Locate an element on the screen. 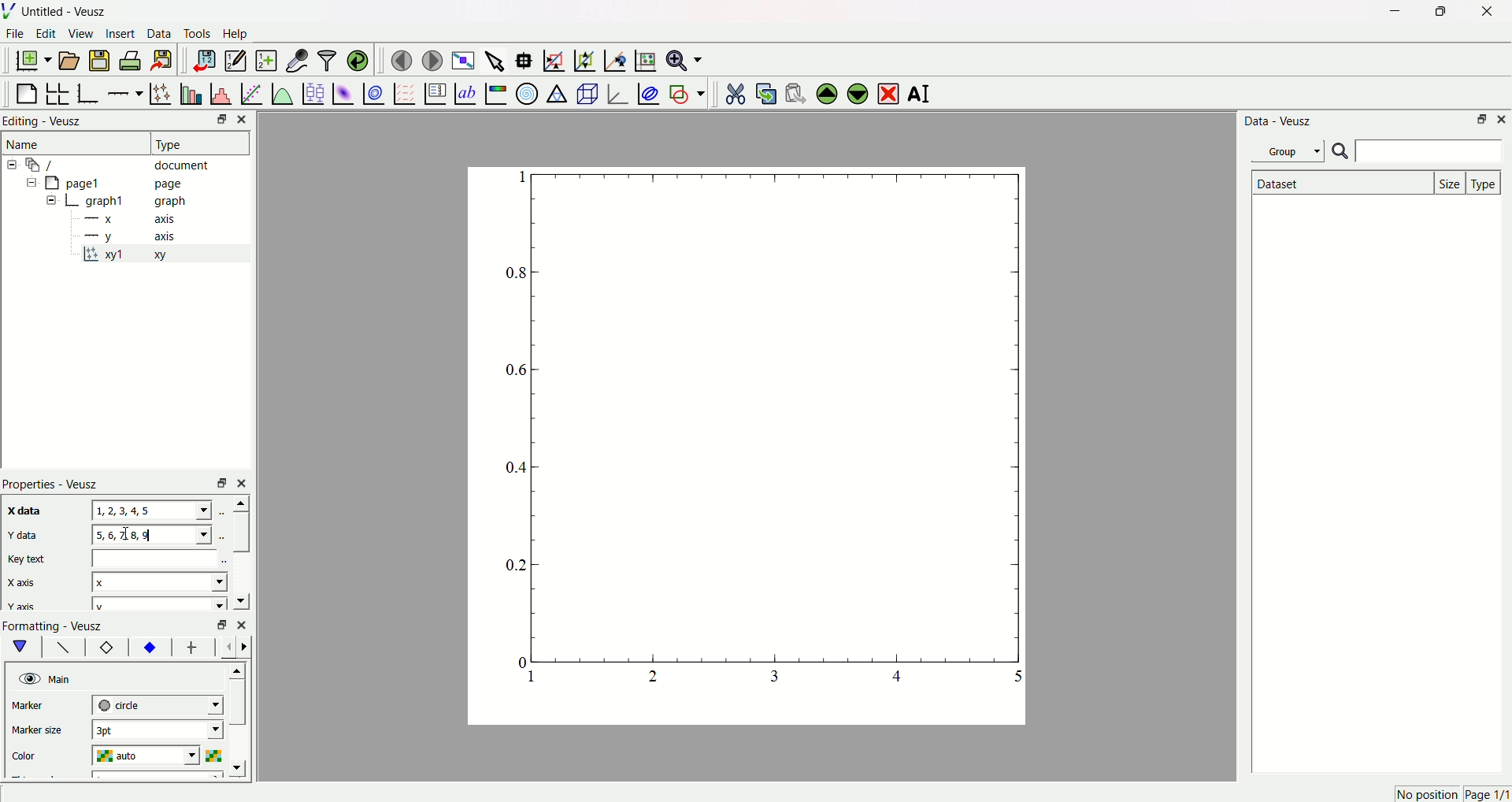  Type is located at coordinates (193, 143).